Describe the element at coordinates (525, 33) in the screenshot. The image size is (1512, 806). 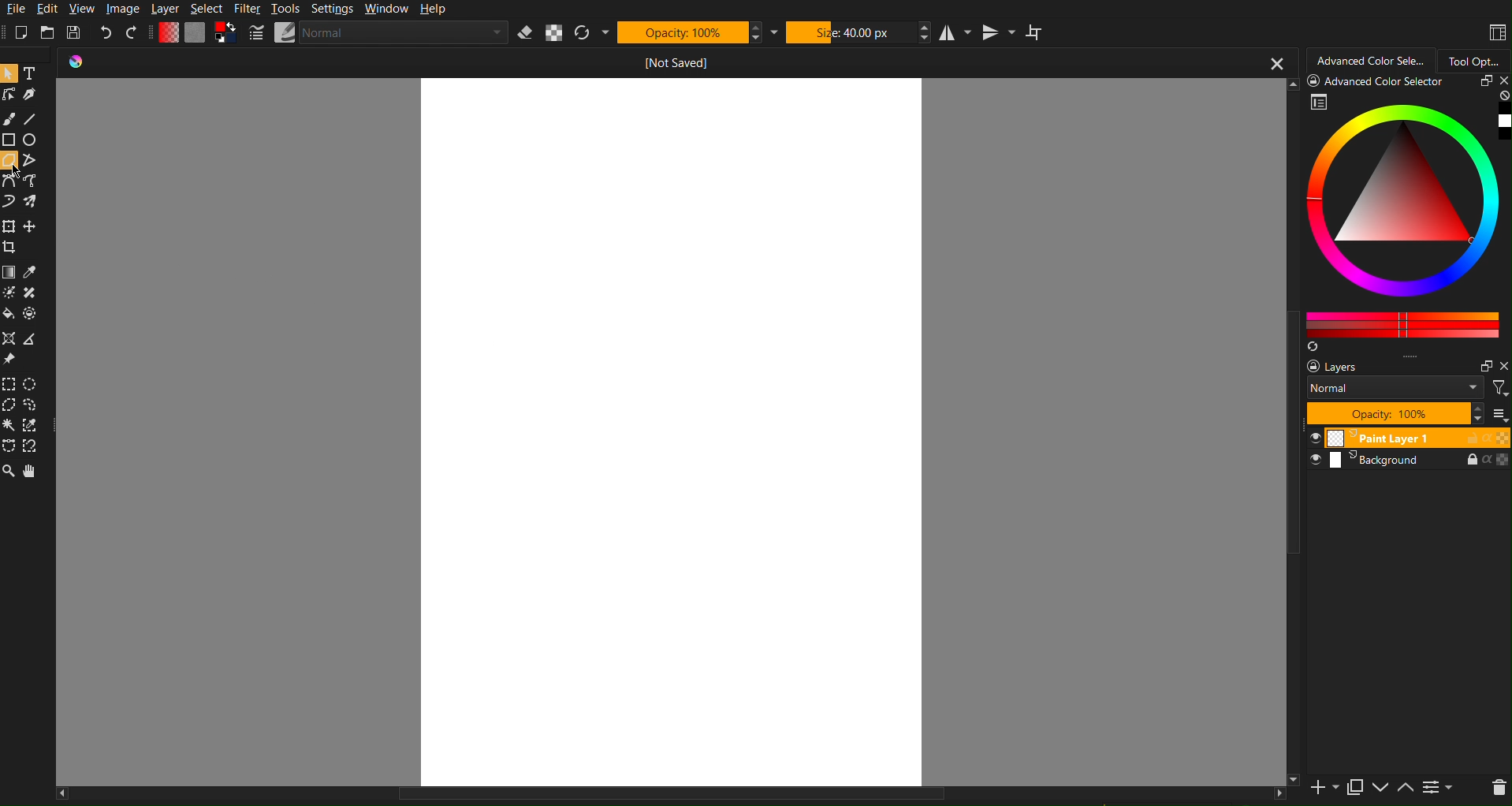
I see `Erase` at that location.